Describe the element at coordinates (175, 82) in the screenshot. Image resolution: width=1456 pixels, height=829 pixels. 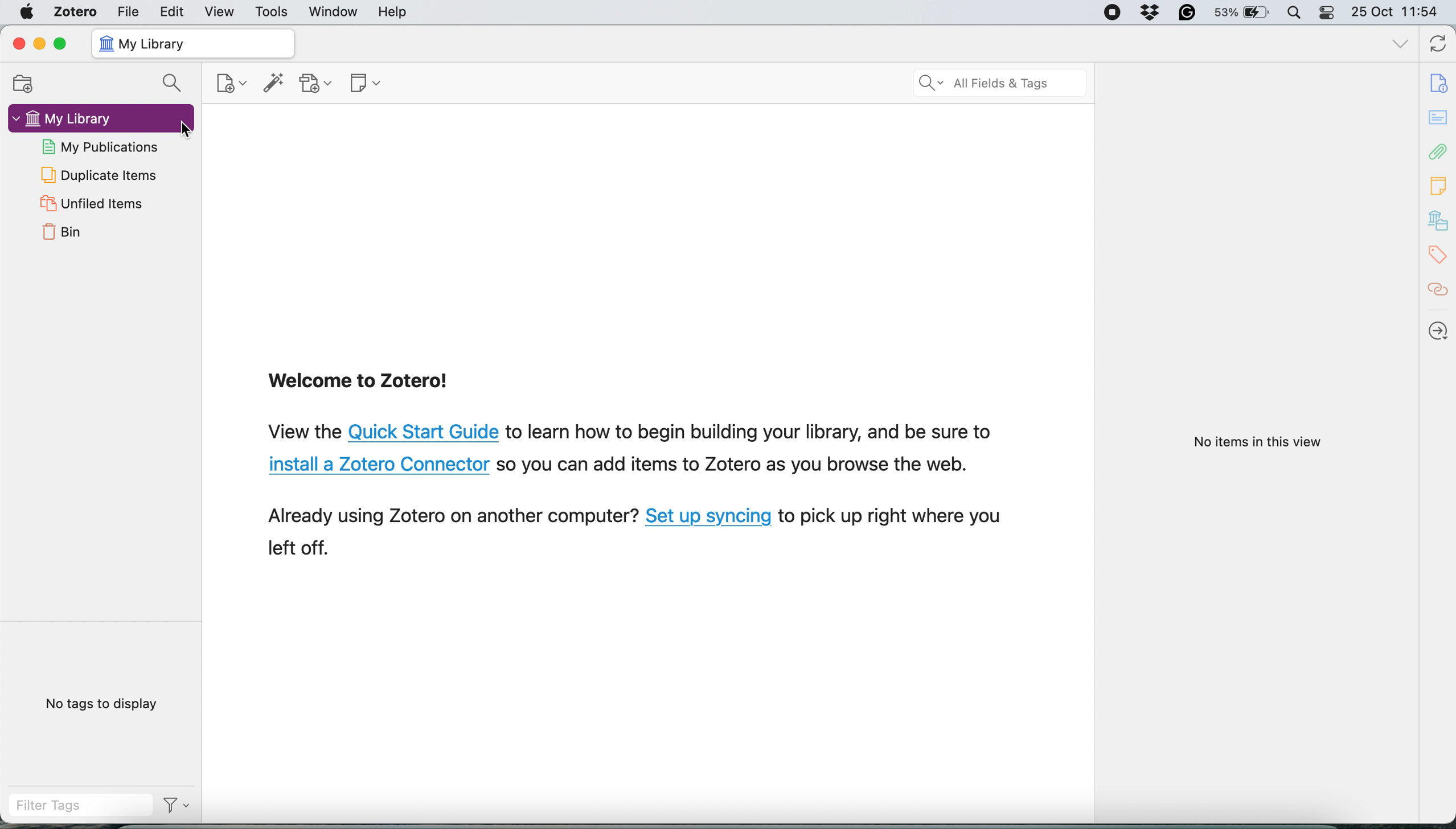
I see `search` at that location.